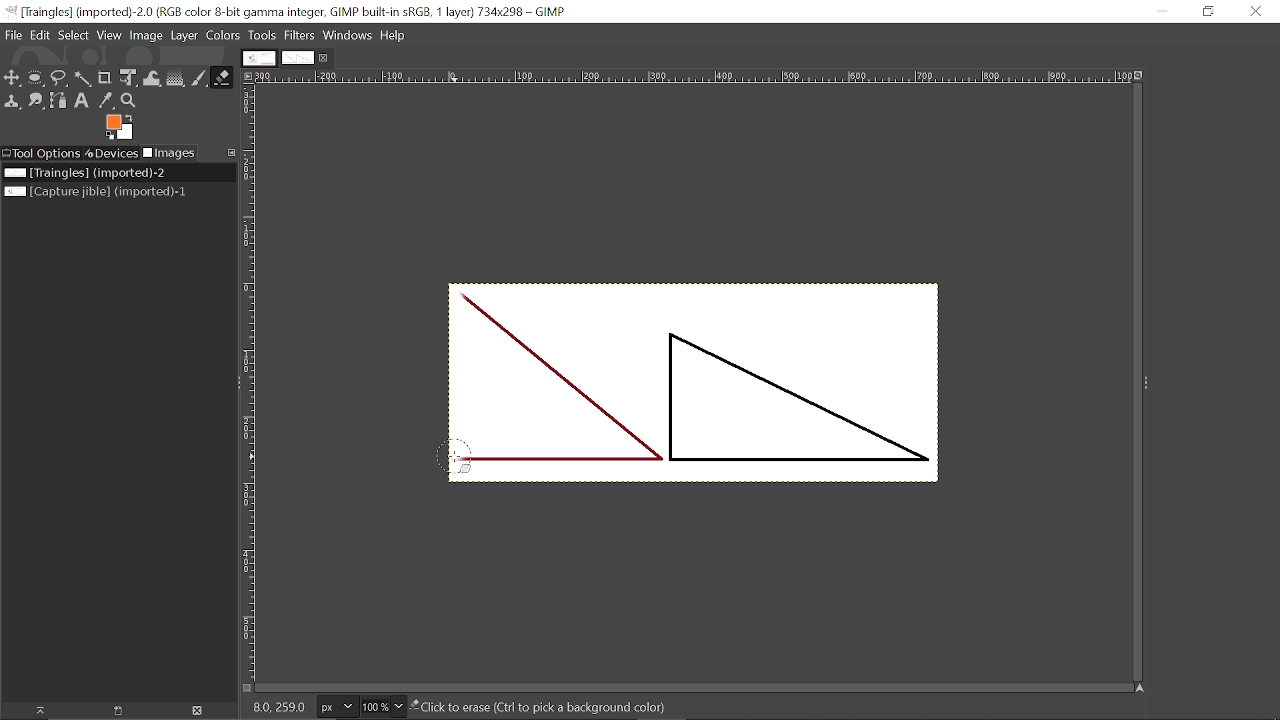 This screenshot has width=1280, height=720. What do you see at coordinates (452, 457) in the screenshot?
I see `Cursor` at bounding box center [452, 457].